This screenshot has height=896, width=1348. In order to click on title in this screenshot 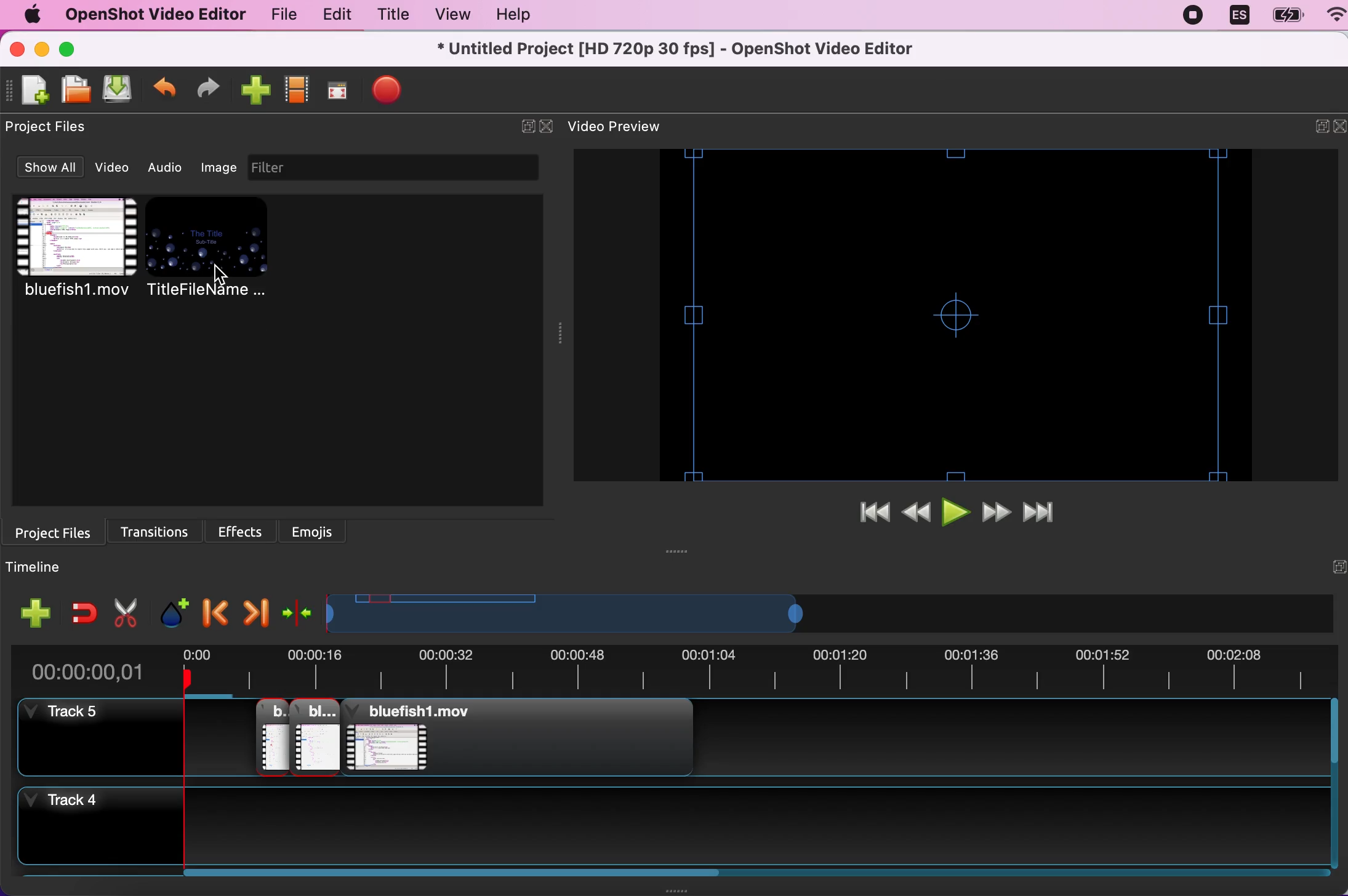, I will do `click(390, 17)`.